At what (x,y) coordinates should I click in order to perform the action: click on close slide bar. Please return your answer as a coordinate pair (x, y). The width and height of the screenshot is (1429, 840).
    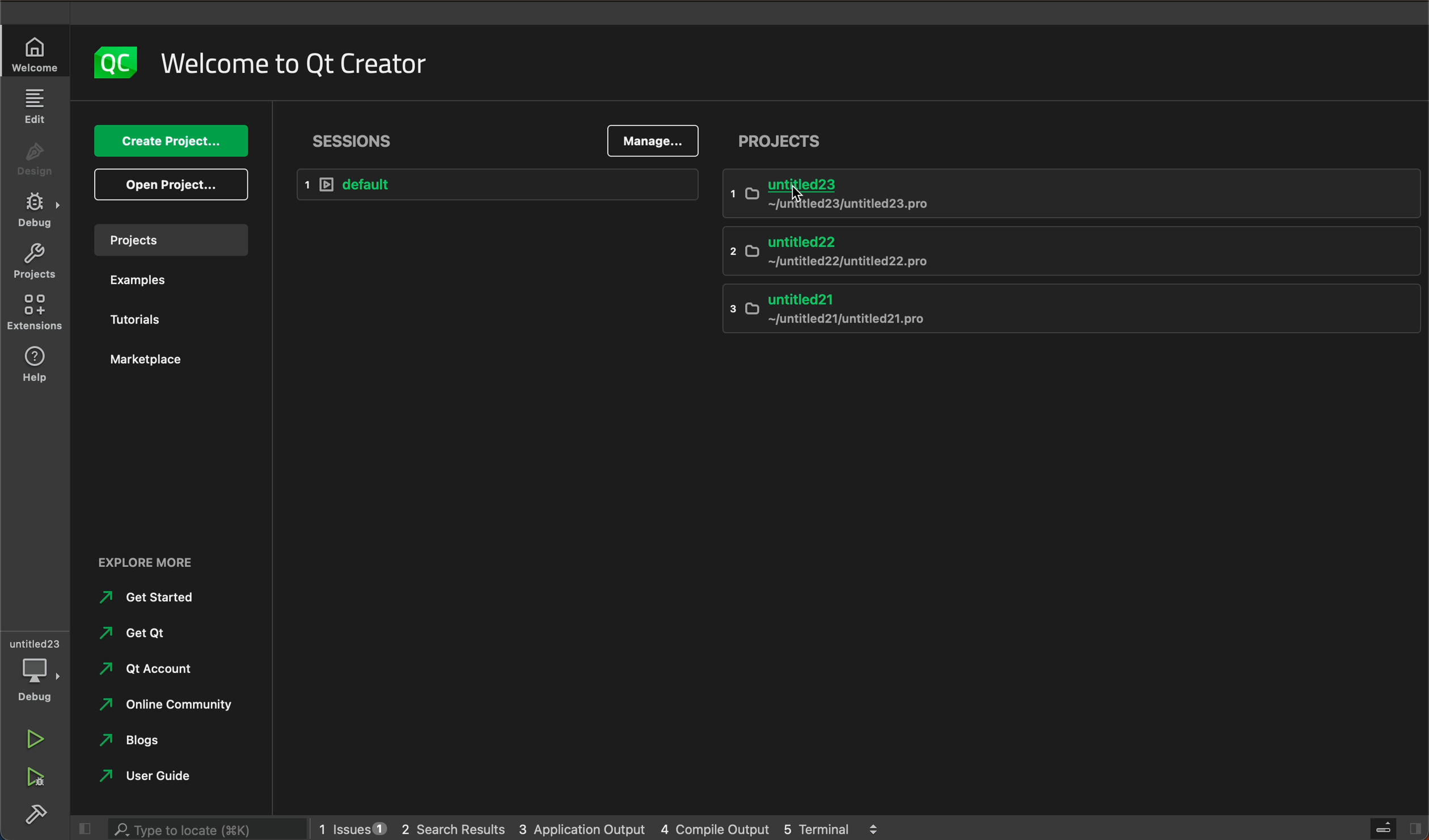
    Looking at the image, I should click on (82, 829).